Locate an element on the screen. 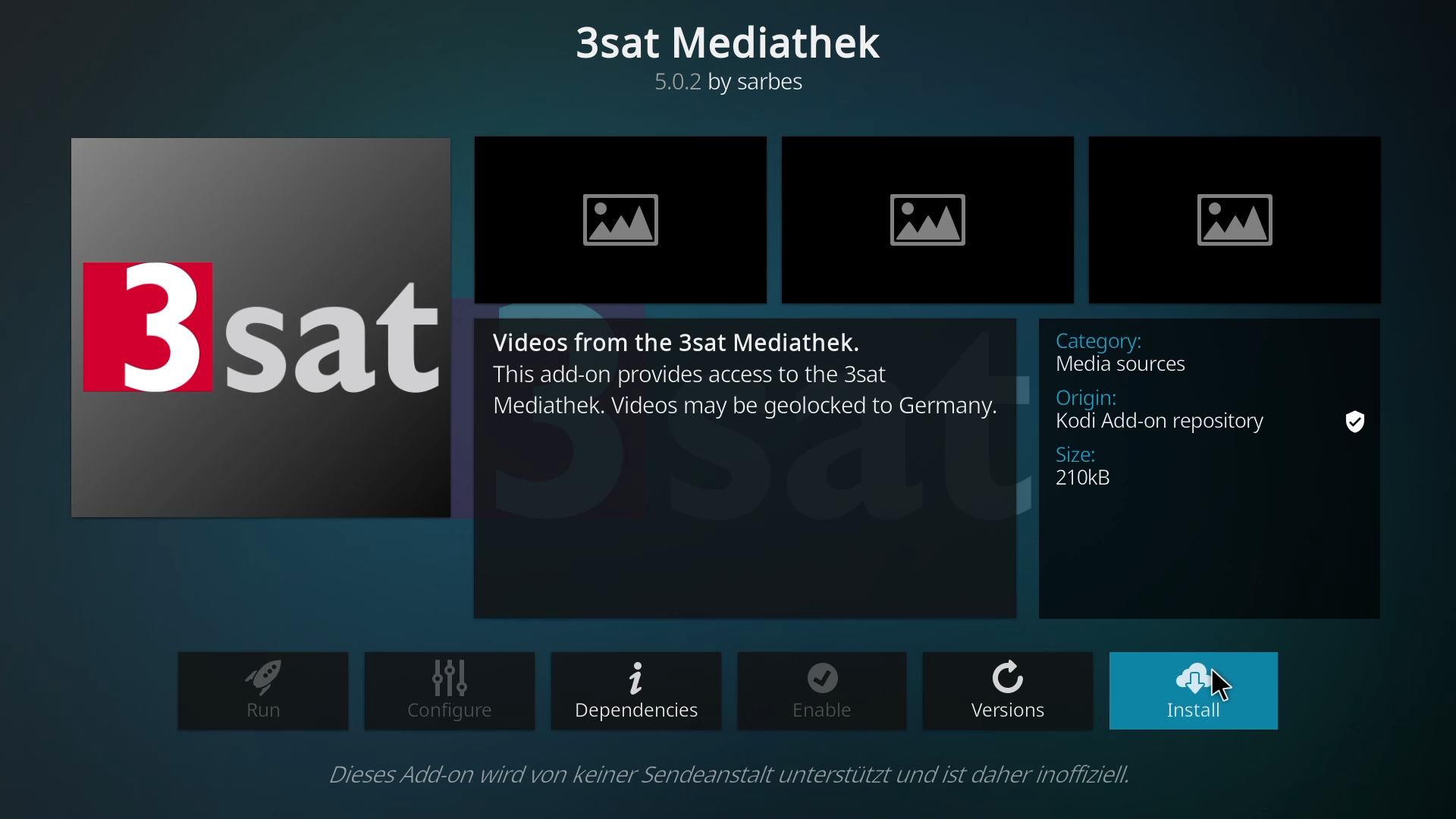  info is located at coordinates (749, 386).